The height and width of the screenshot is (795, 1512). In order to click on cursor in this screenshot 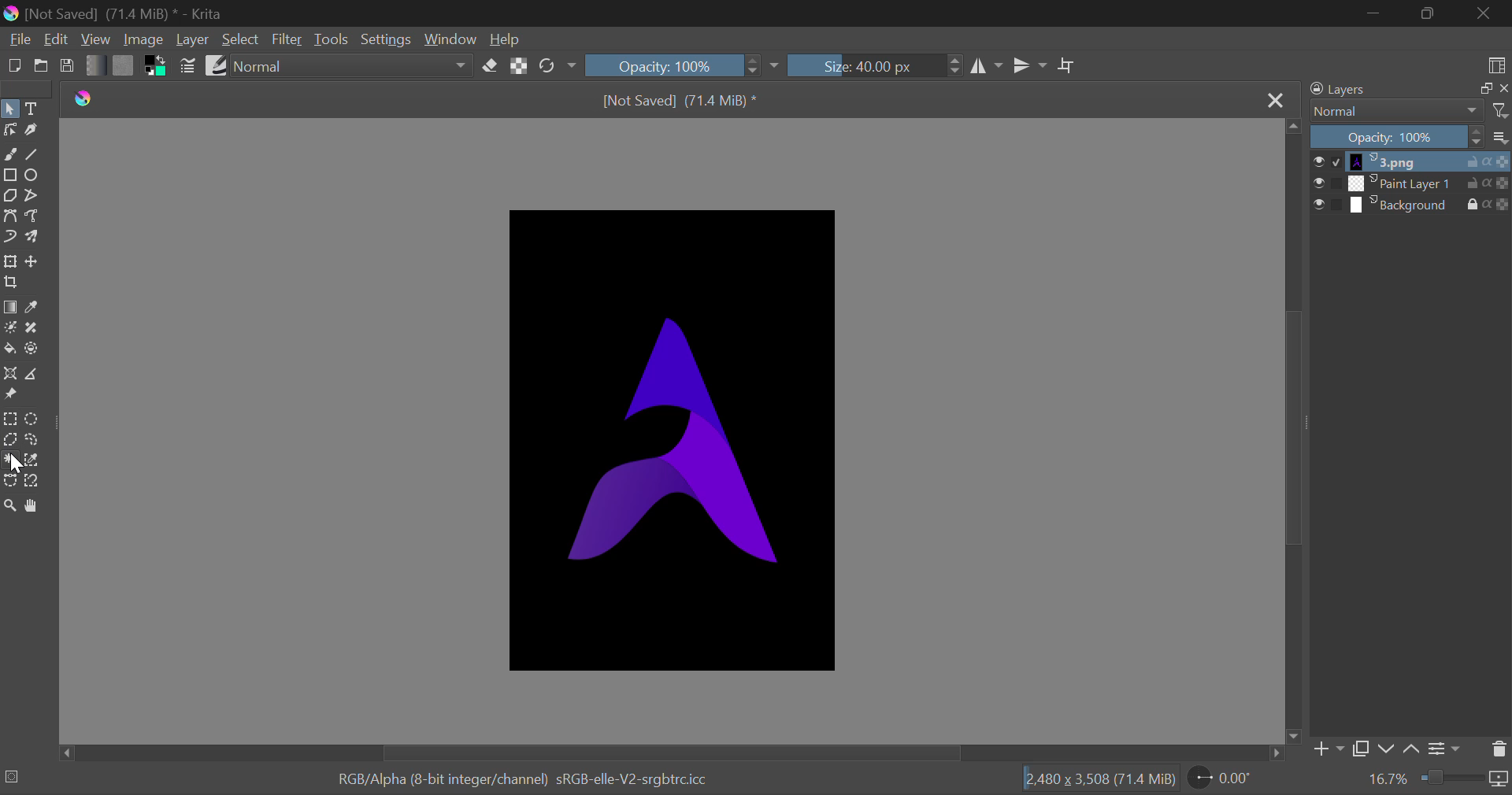, I will do `click(17, 466)`.